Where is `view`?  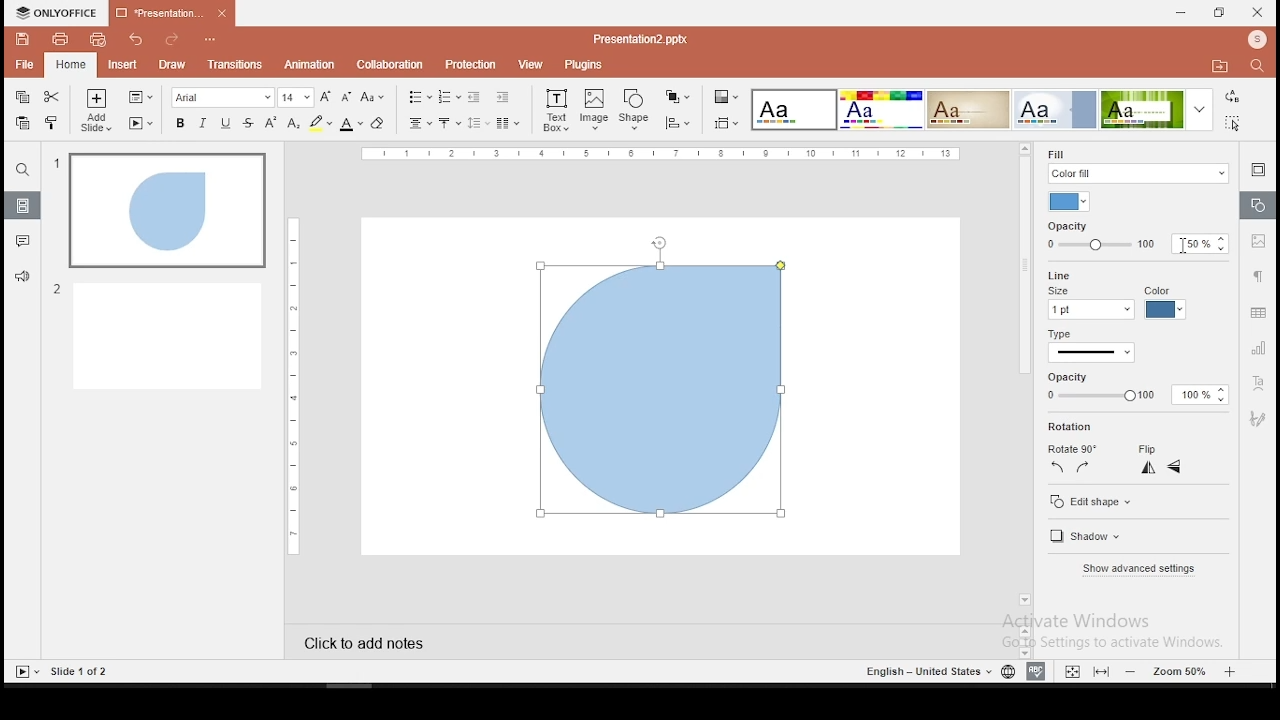
view is located at coordinates (530, 64).